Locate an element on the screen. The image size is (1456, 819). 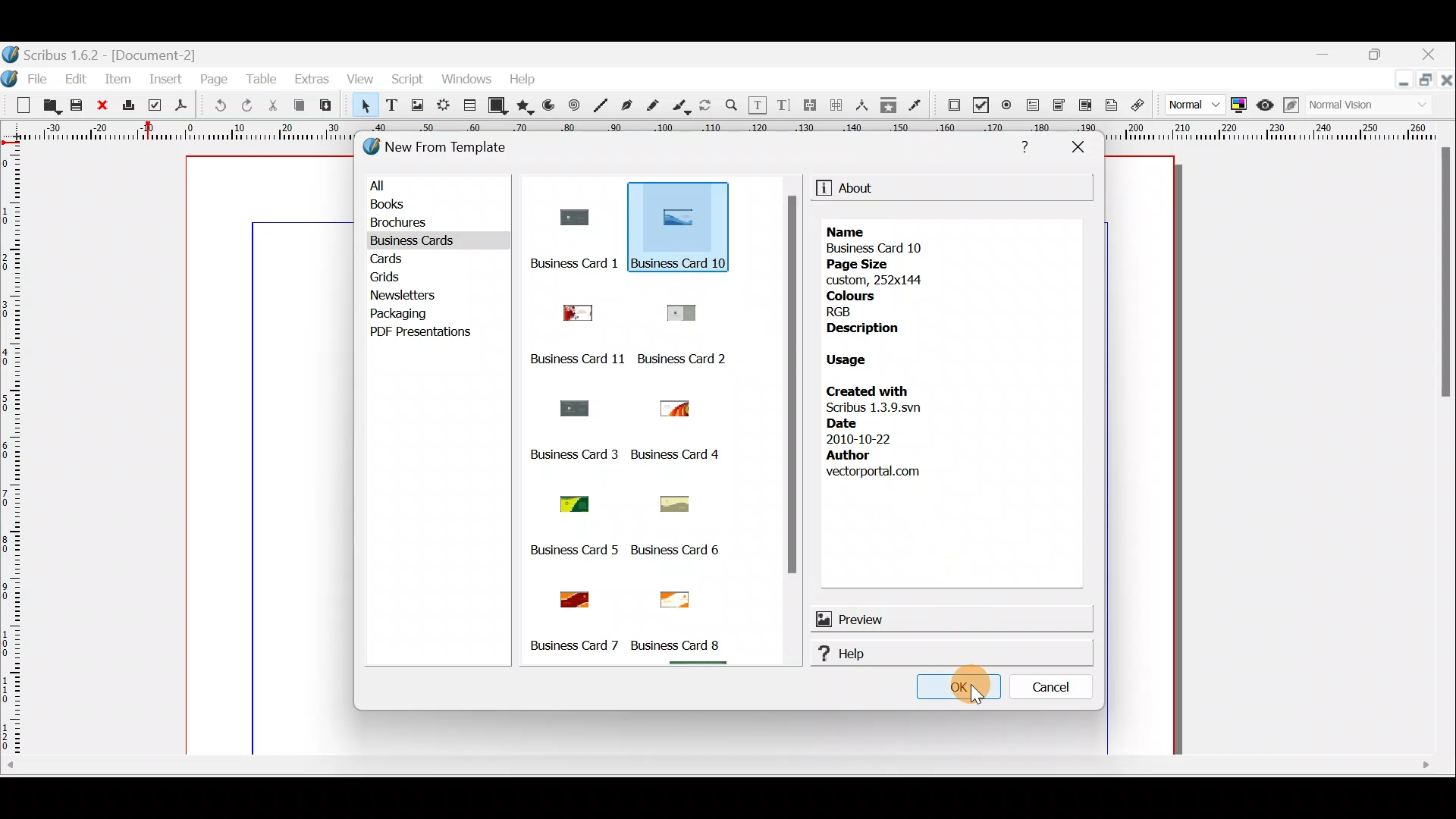
Business Card 10 is located at coordinates (880, 248).